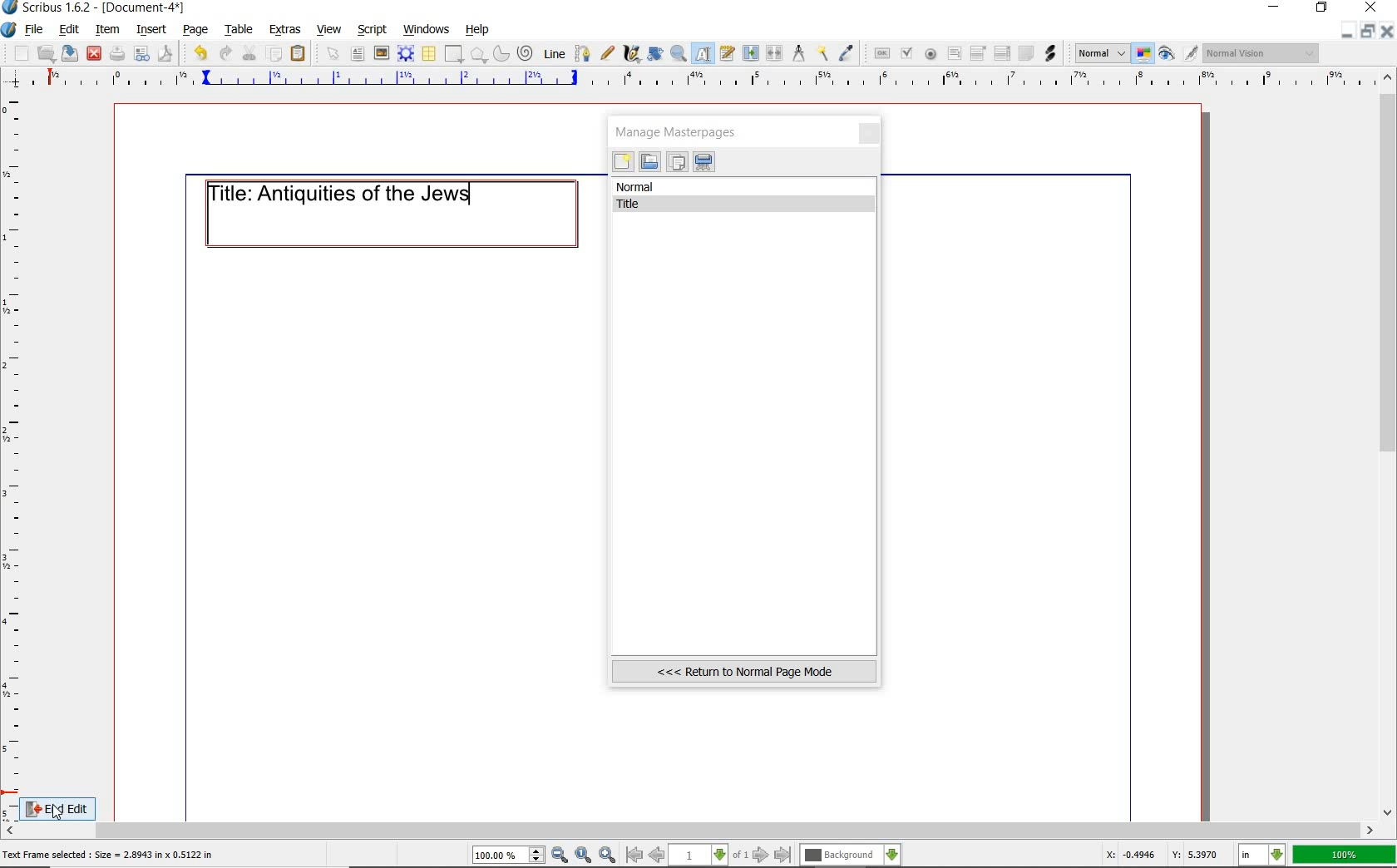 Image resolution: width=1397 pixels, height=868 pixels. Describe the element at coordinates (649, 162) in the screenshot. I see `import masterpages` at that location.